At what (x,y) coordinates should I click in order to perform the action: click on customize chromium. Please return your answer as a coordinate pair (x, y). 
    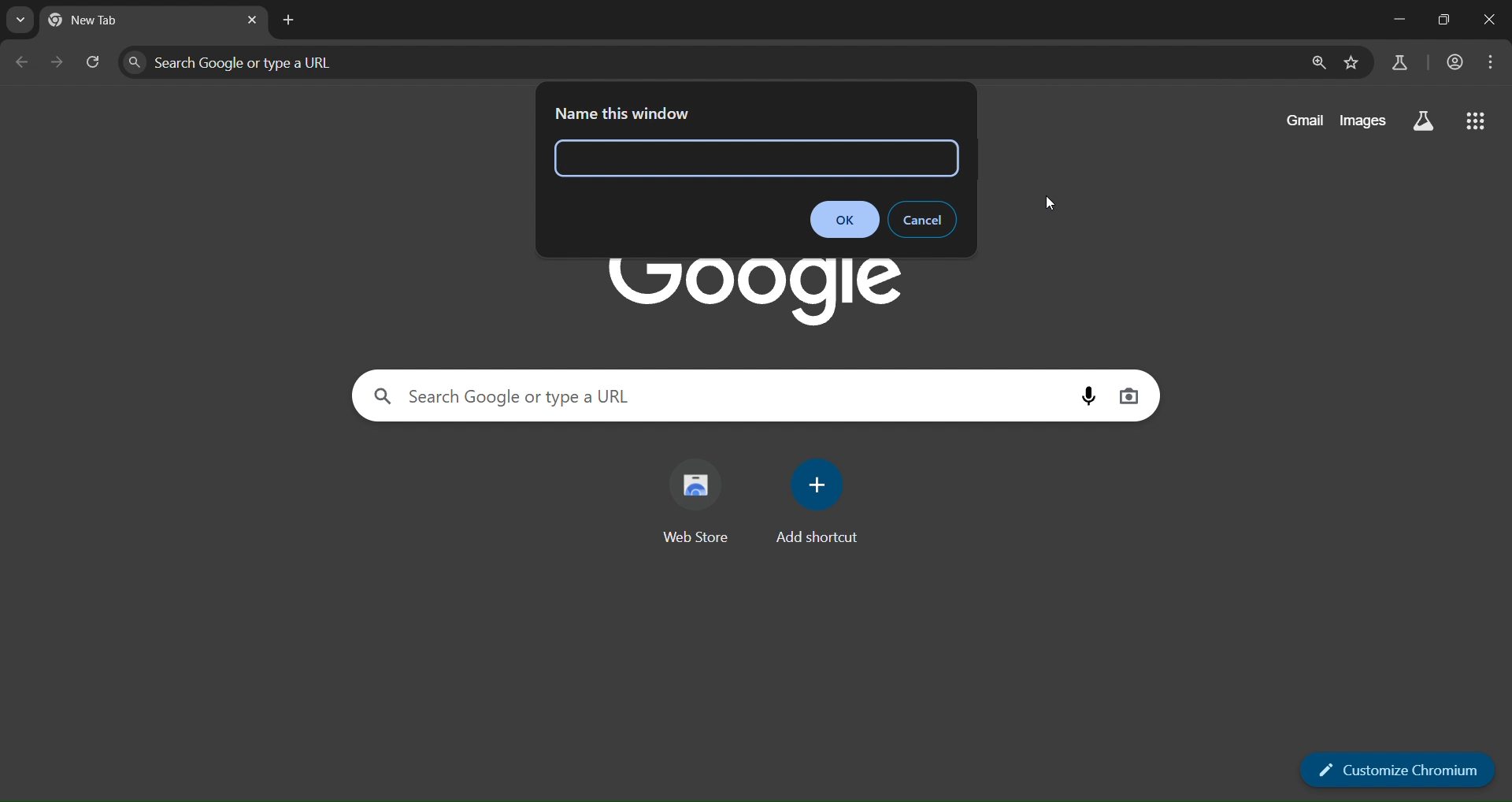
    Looking at the image, I should click on (1399, 768).